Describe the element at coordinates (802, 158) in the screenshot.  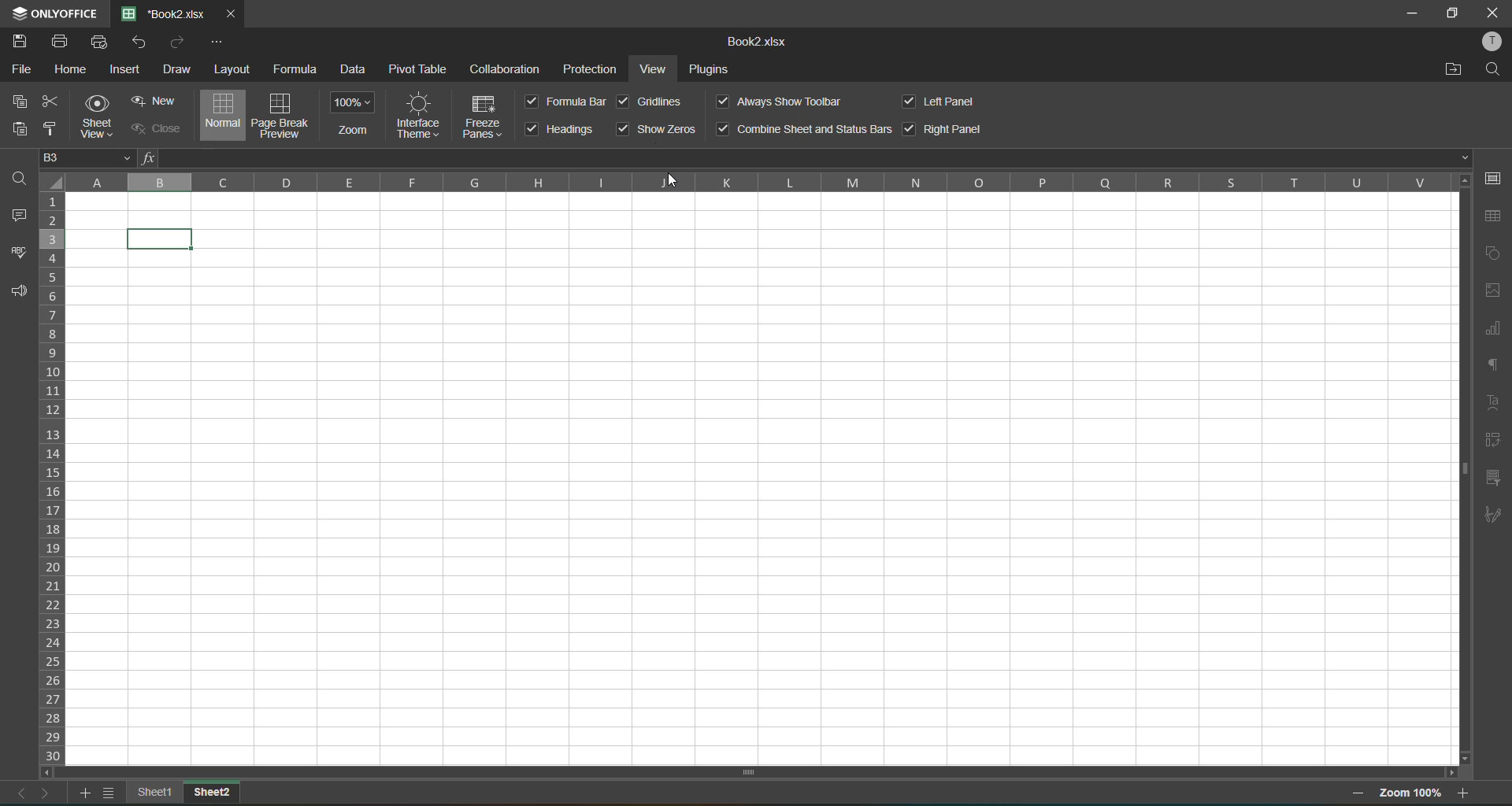
I see `formula bar` at that location.